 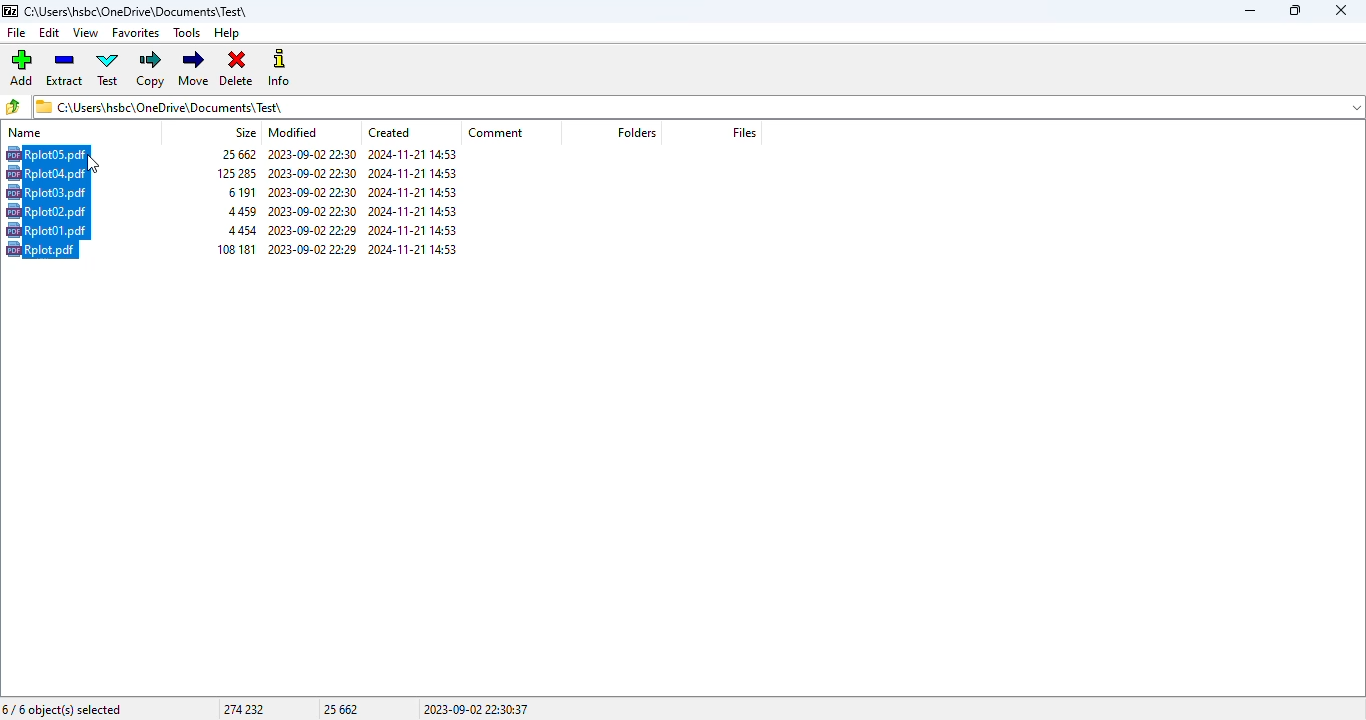 What do you see at coordinates (22, 67) in the screenshot?
I see `add` at bounding box center [22, 67].